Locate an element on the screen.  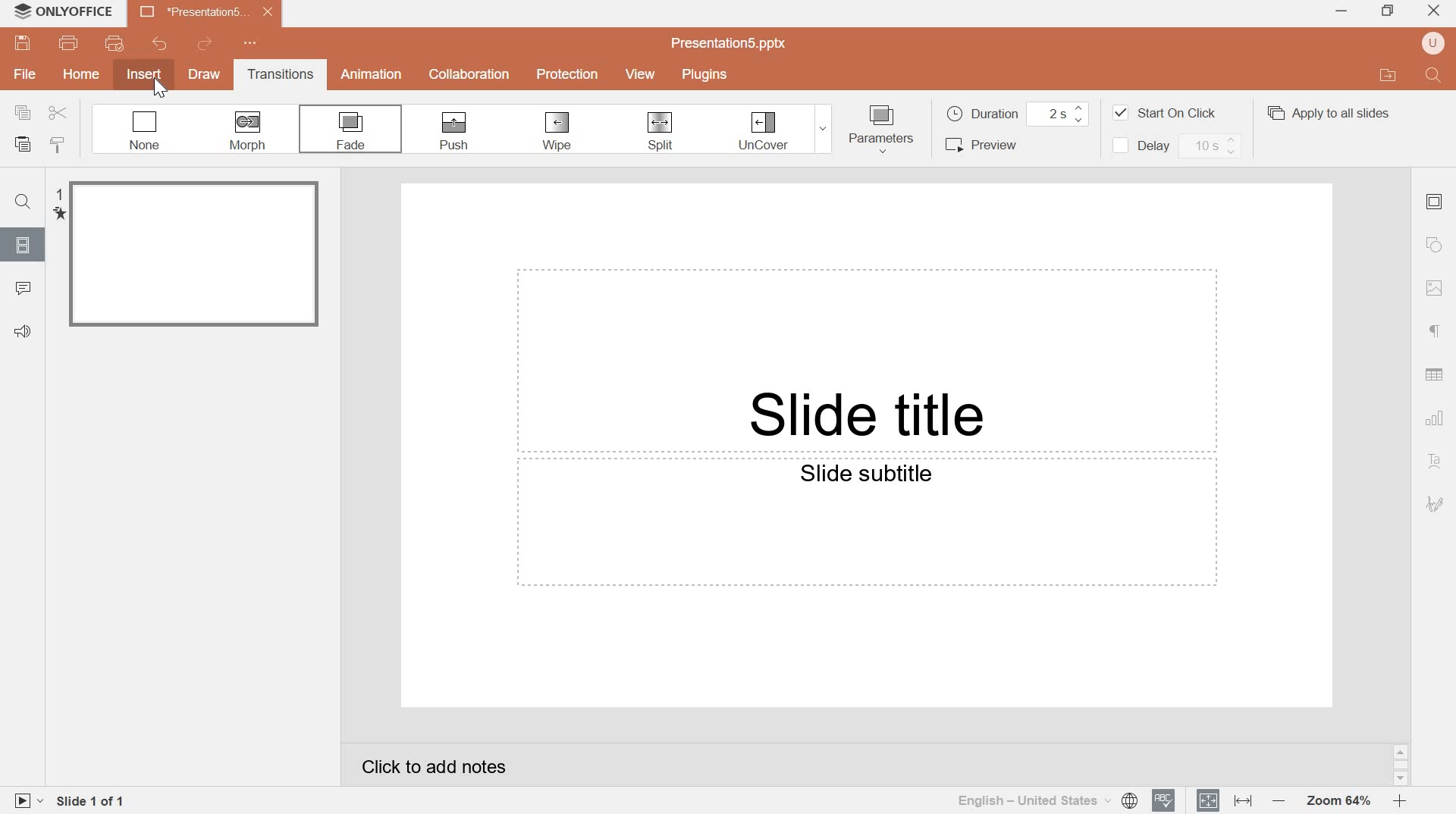
Draw is located at coordinates (204, 76).